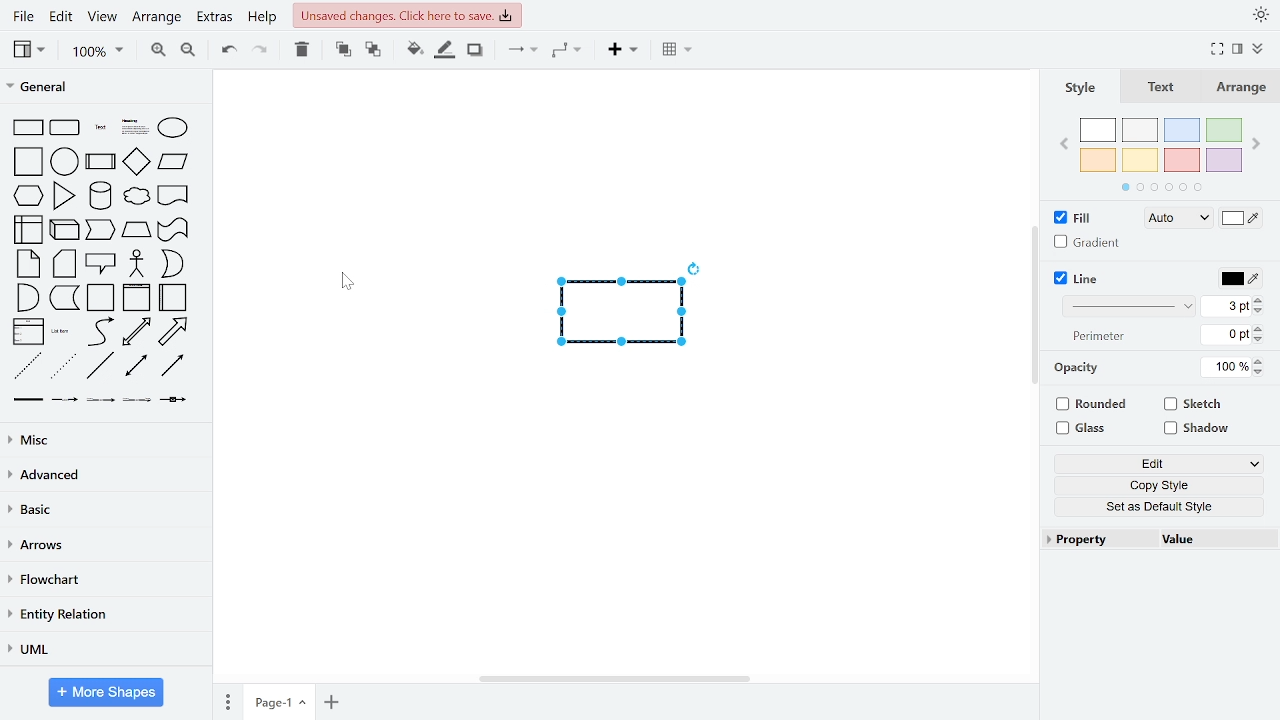 The image size is (1280, 720). Describe the element at coordinates (1134, 305) in the screenshot. I see `patterns` at that location.